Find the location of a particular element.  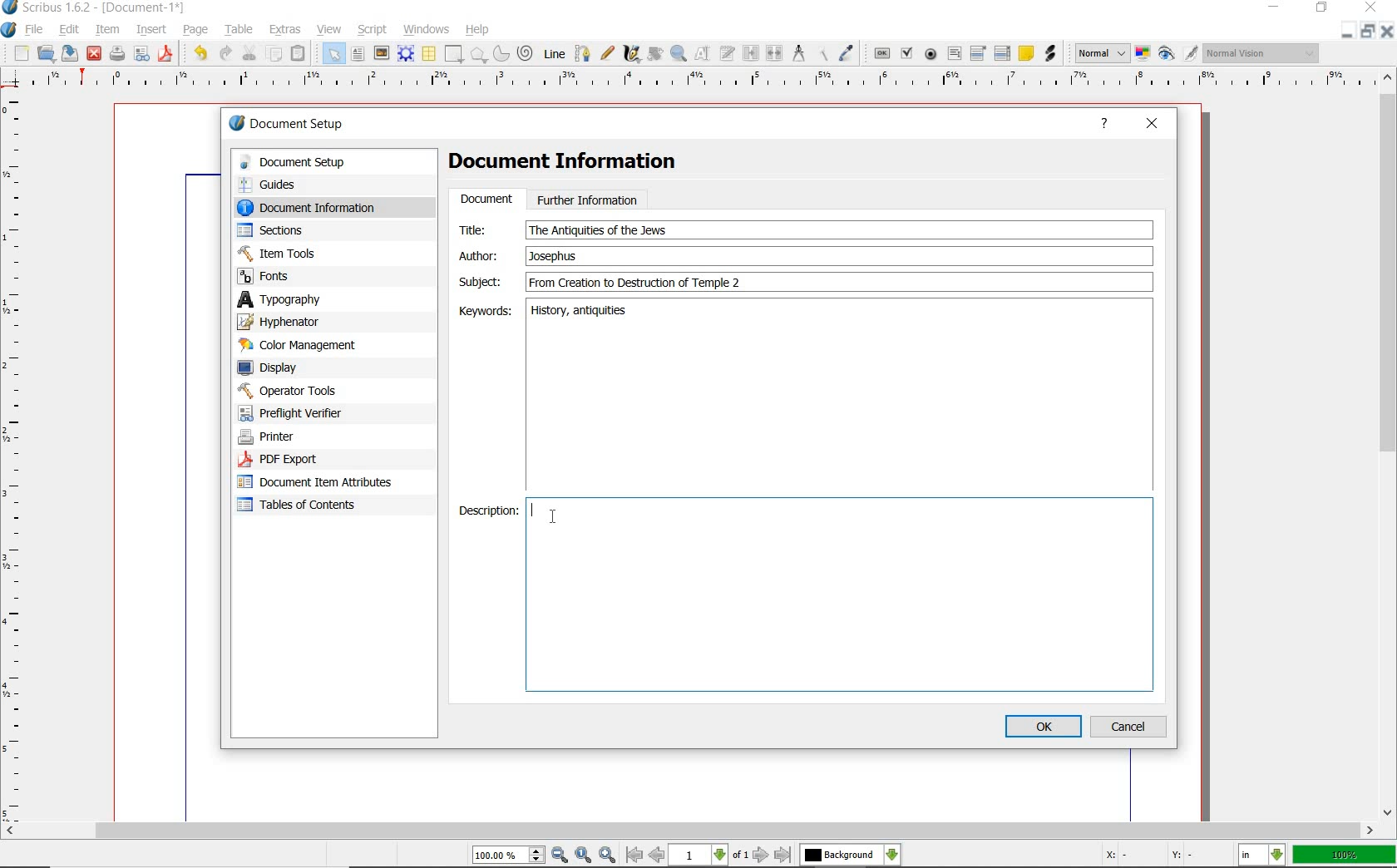

ruler is located at coordinates (17, 456).